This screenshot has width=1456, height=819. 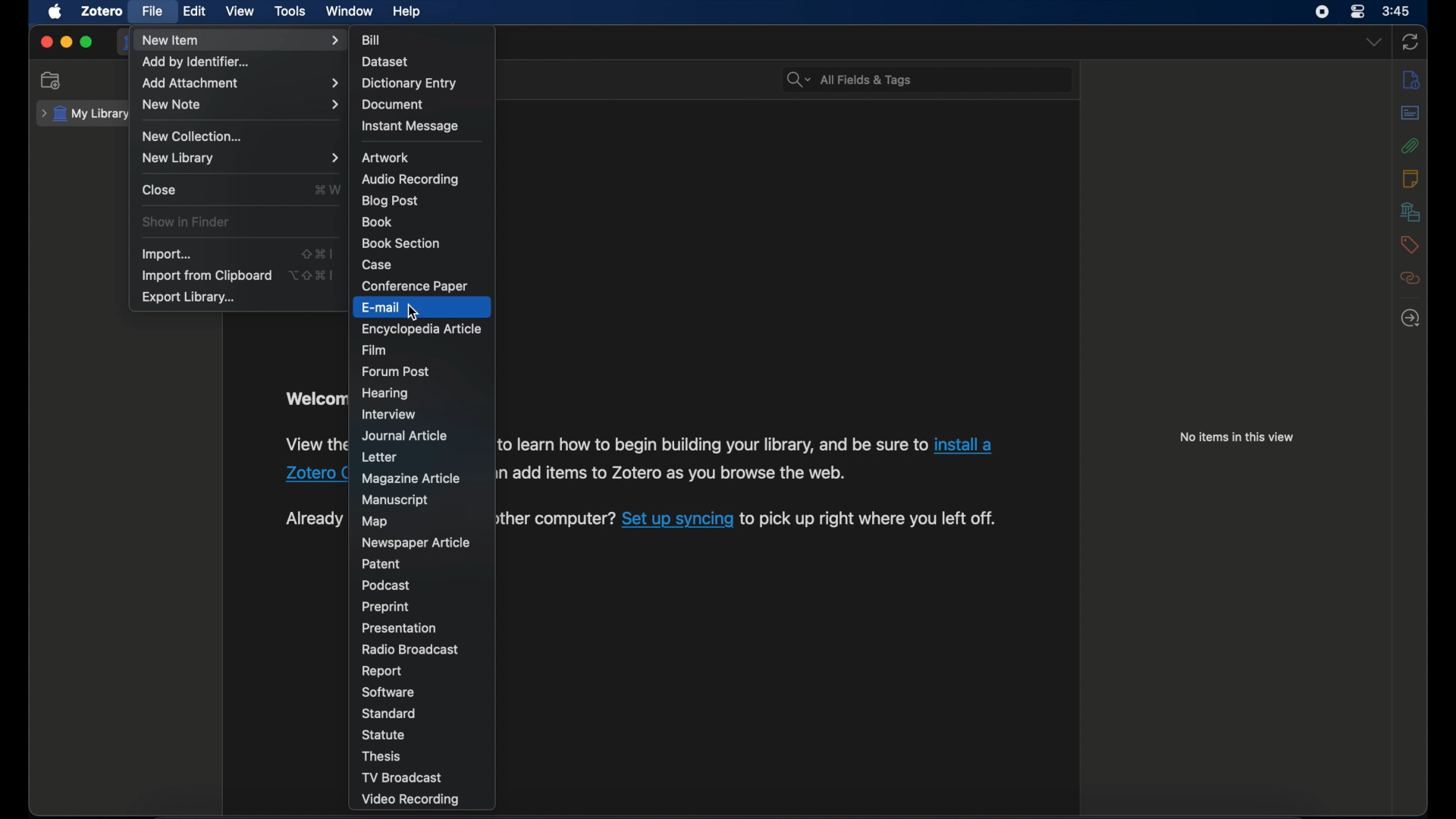 What do you see at coordinates (313, 519) in the screenshot?
I see `syncing instruction` at bounding box center [313, 519].